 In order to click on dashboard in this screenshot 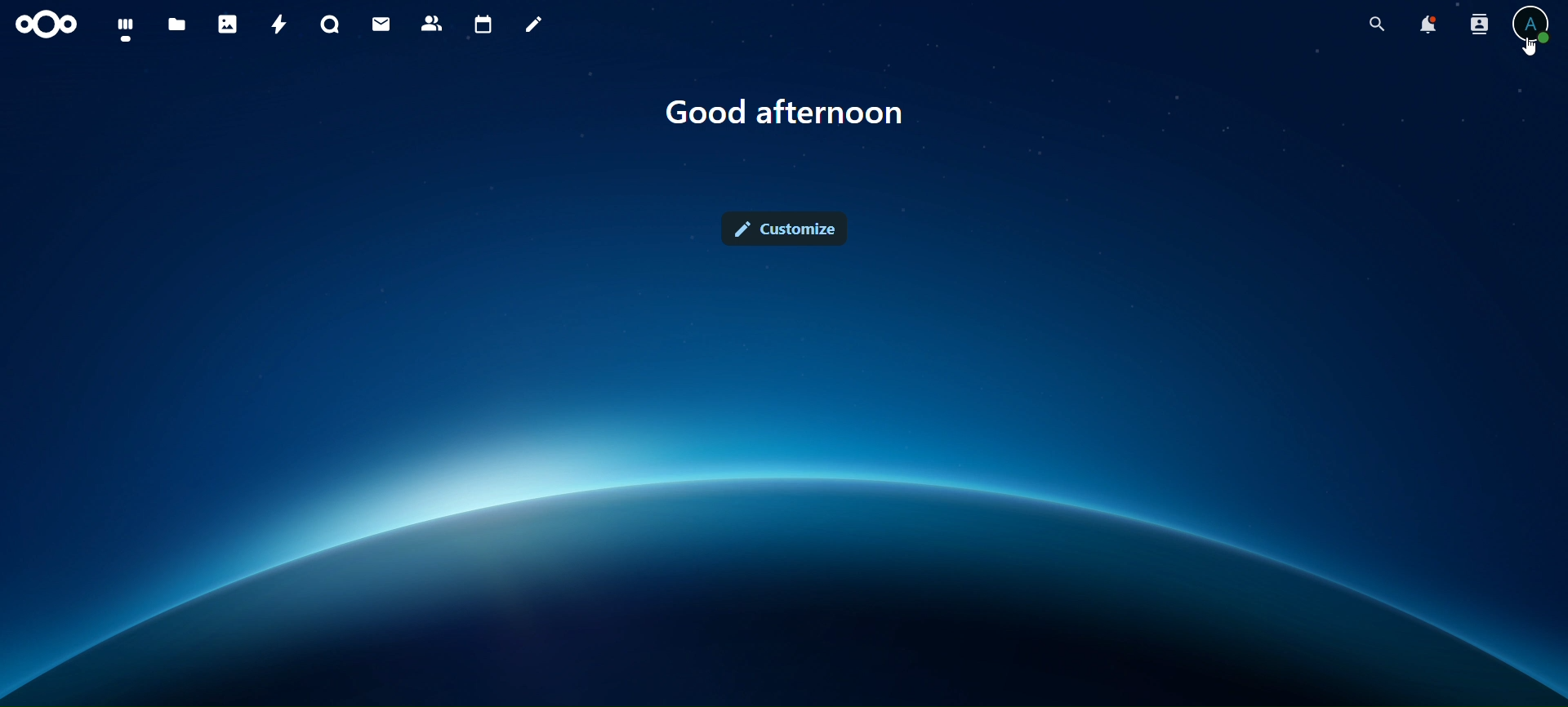, I will do `click(123, 31)`.